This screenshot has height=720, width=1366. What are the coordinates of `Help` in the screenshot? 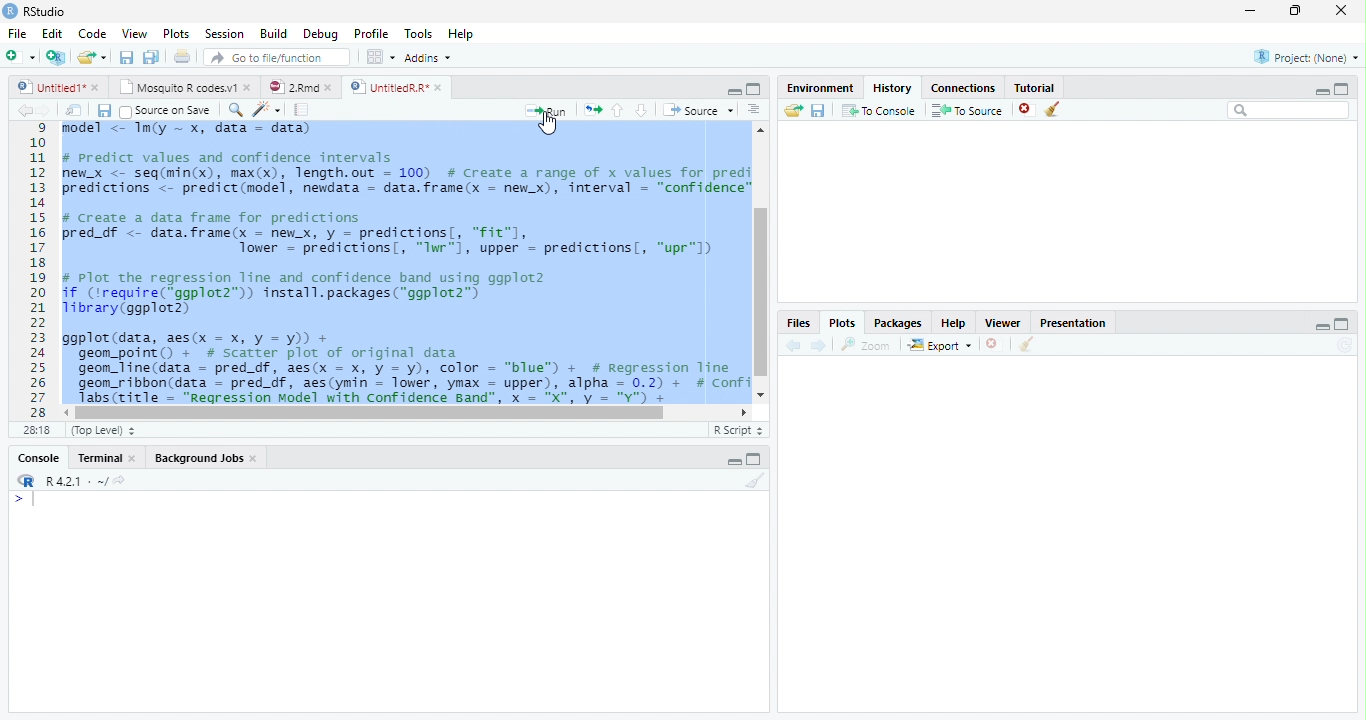 It's located at (956, 322).